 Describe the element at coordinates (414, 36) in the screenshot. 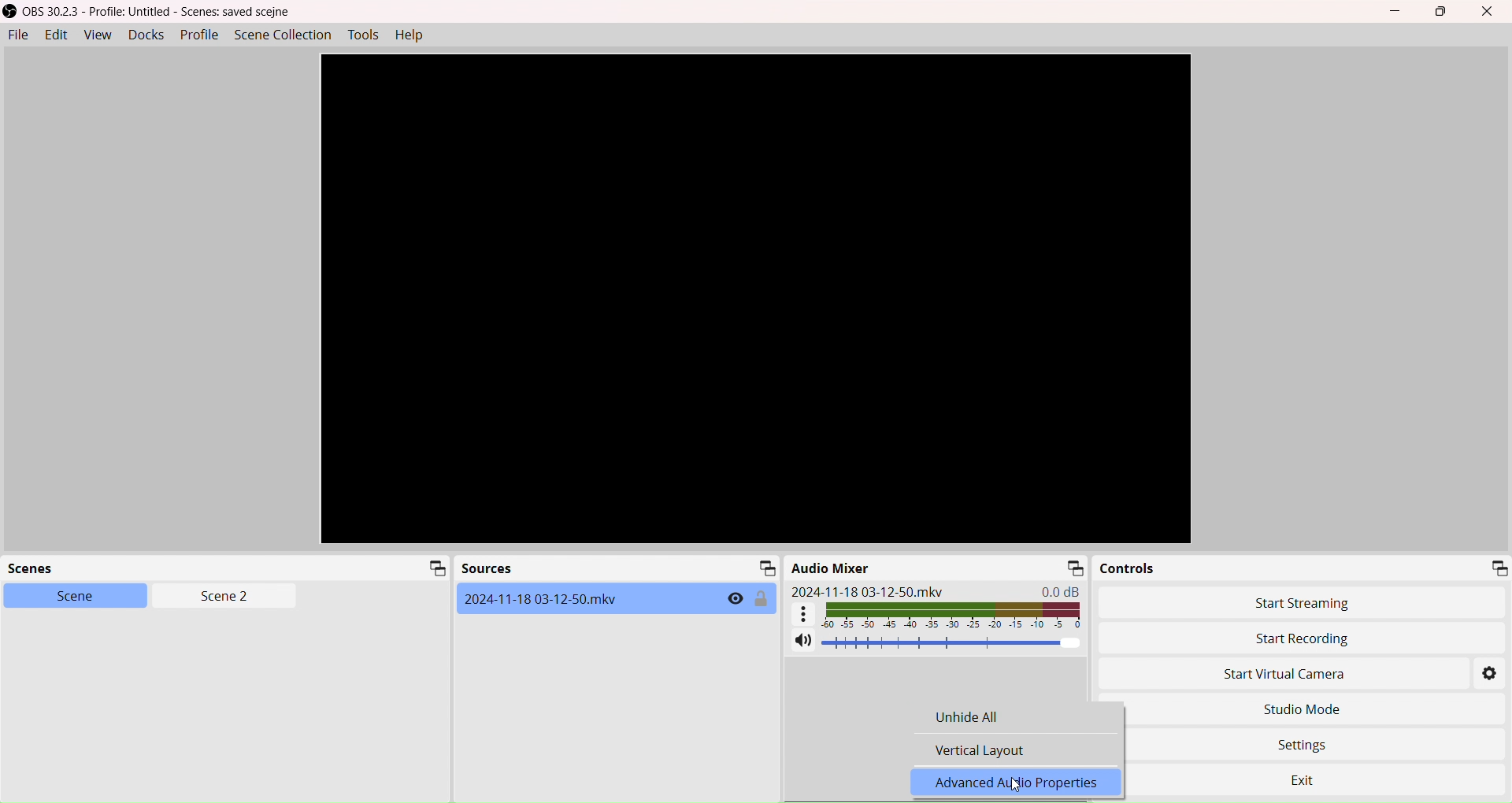

I see `Help` at that location.